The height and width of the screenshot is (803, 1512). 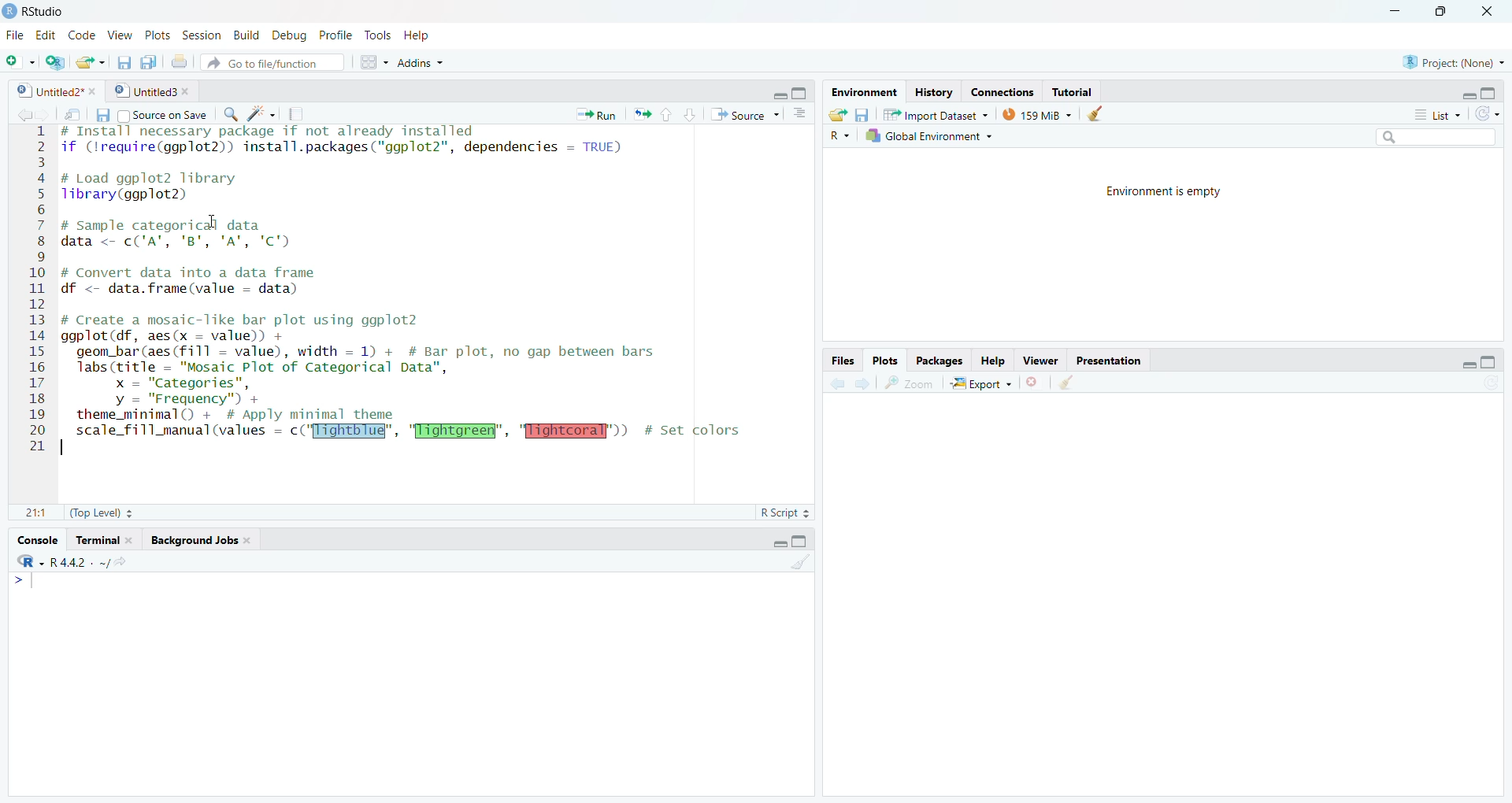 What do you see at coordinates (335, 35) in the screenshot?
I see `Profile` at bounding box center [335, 35].